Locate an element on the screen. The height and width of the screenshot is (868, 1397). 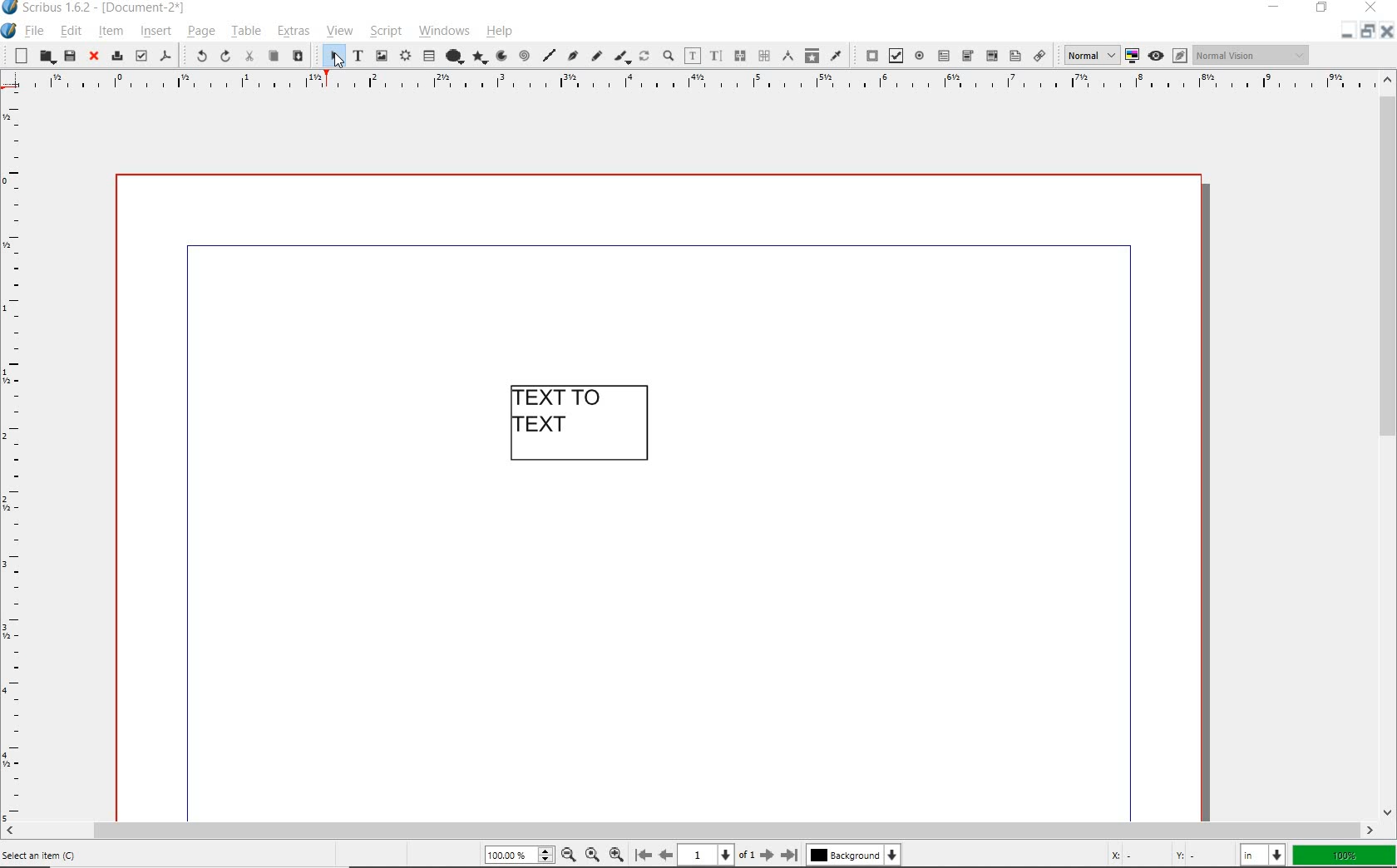
select an item (c) is located at coordinates (42, 853).